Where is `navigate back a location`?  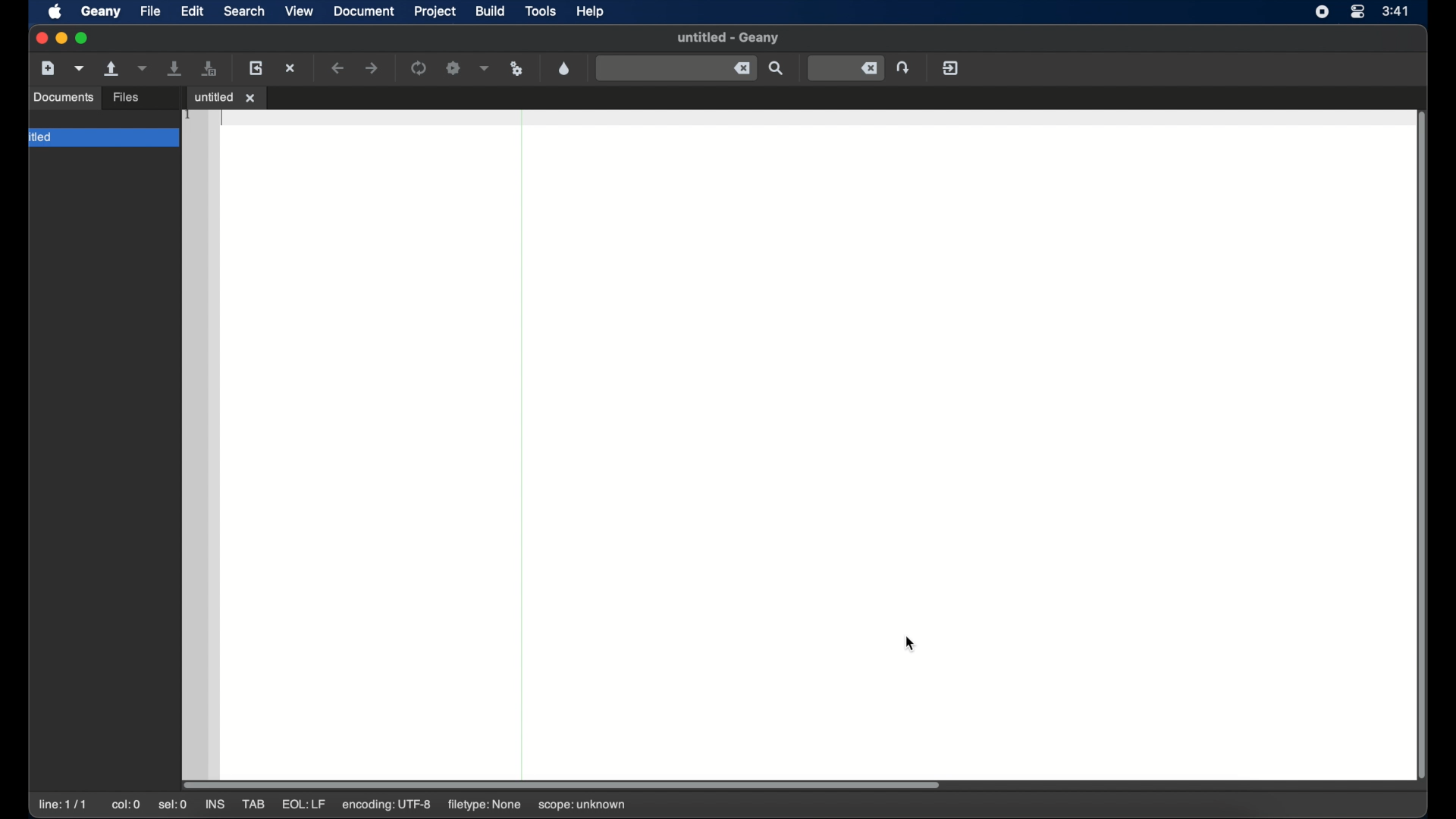
navigate back a location is located at coordinates (339, 68).